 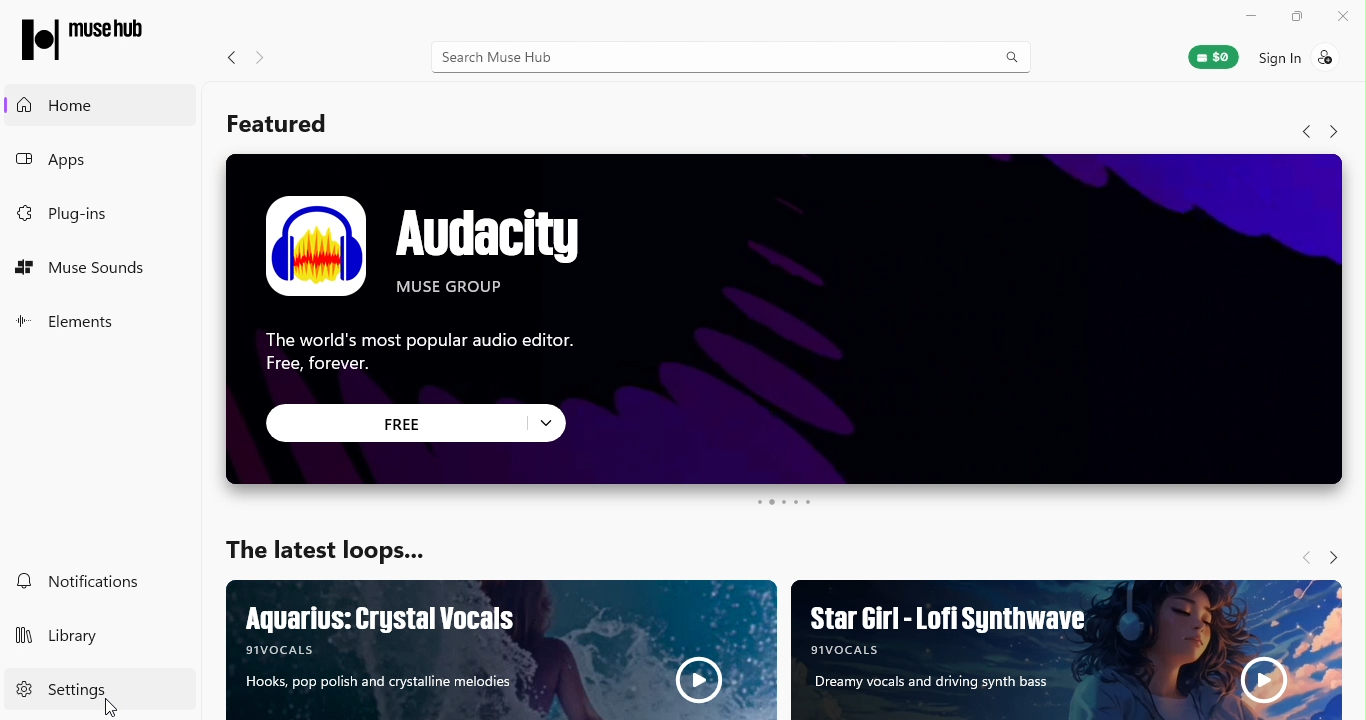 What do you see at coordinates (1297, 19) in the screenshot?
I see `Maximize` at bounding box center [1297, 19].